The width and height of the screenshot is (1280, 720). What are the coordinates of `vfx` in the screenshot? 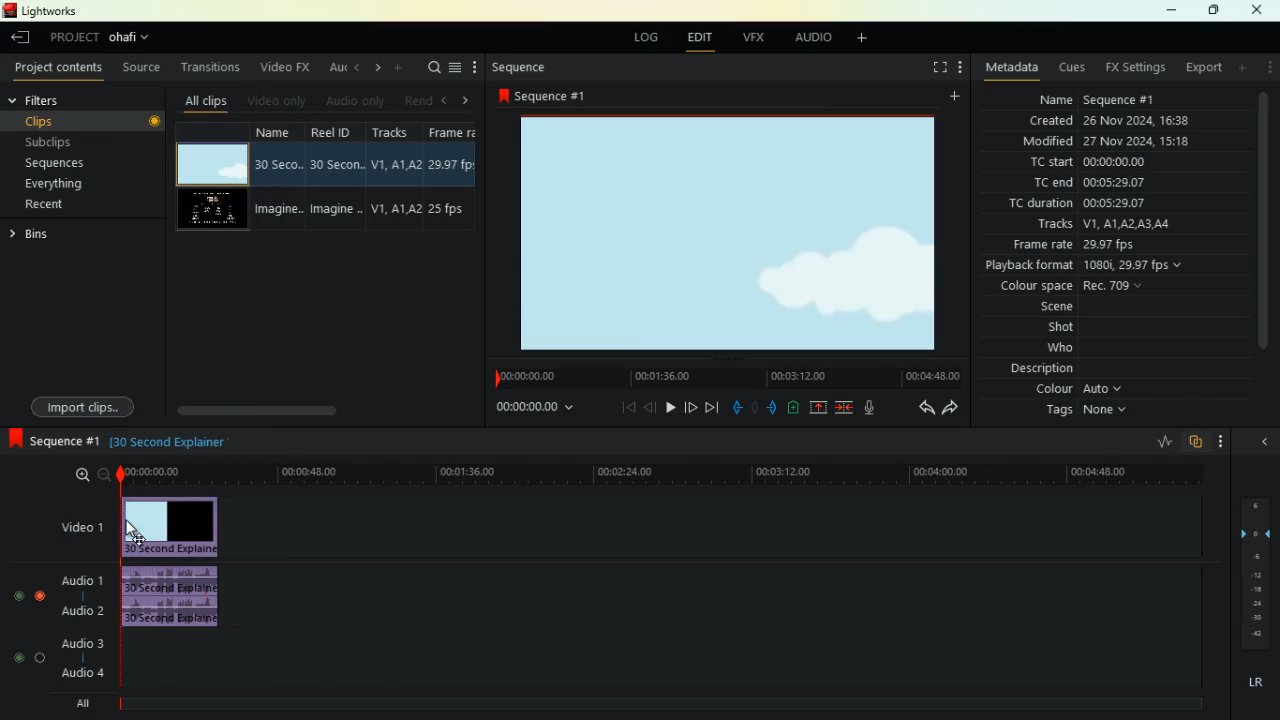 It's located at (758, 37).